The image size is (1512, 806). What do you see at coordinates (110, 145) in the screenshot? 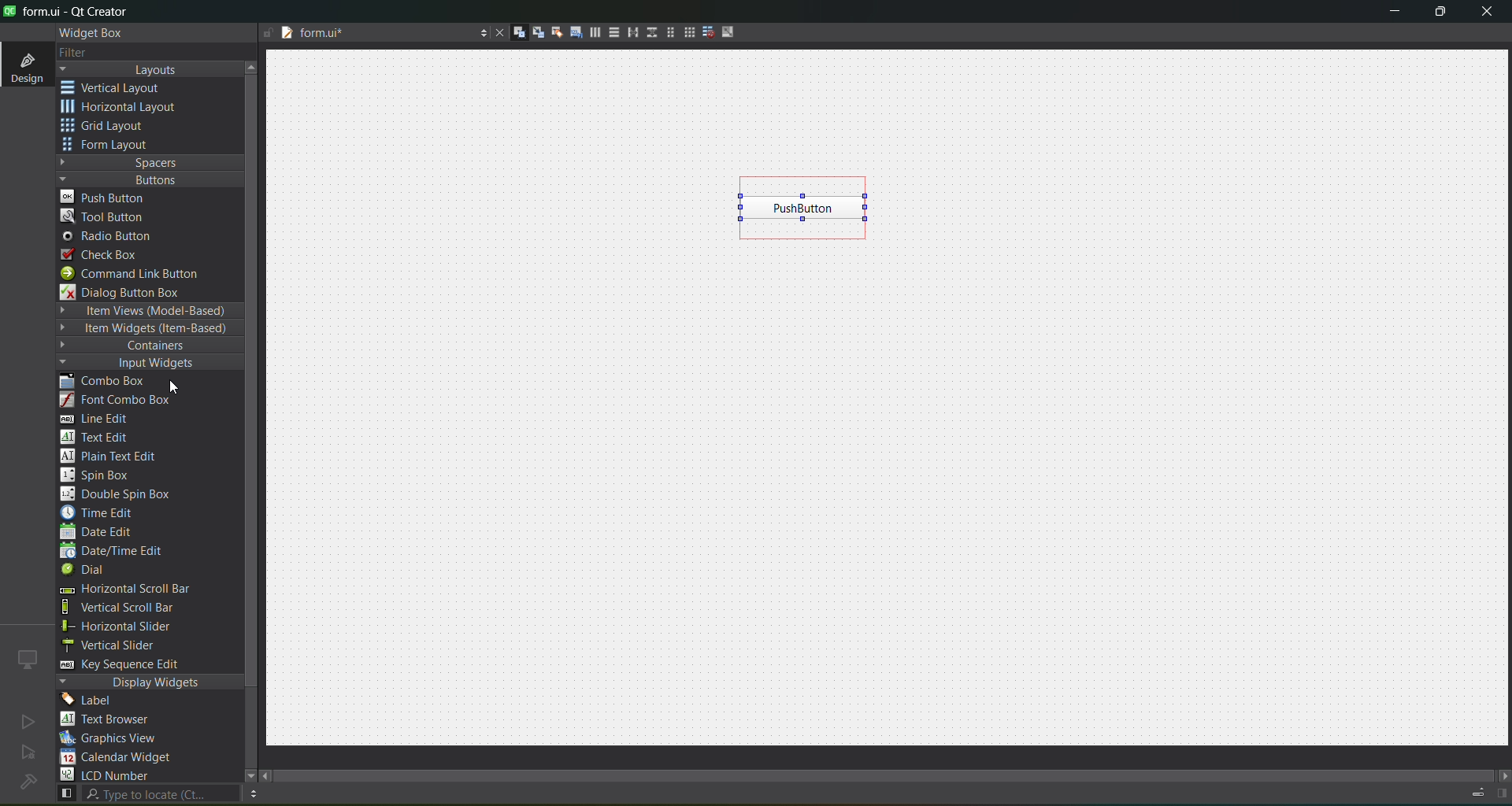
I see `form` at bounding box center [110, 145].